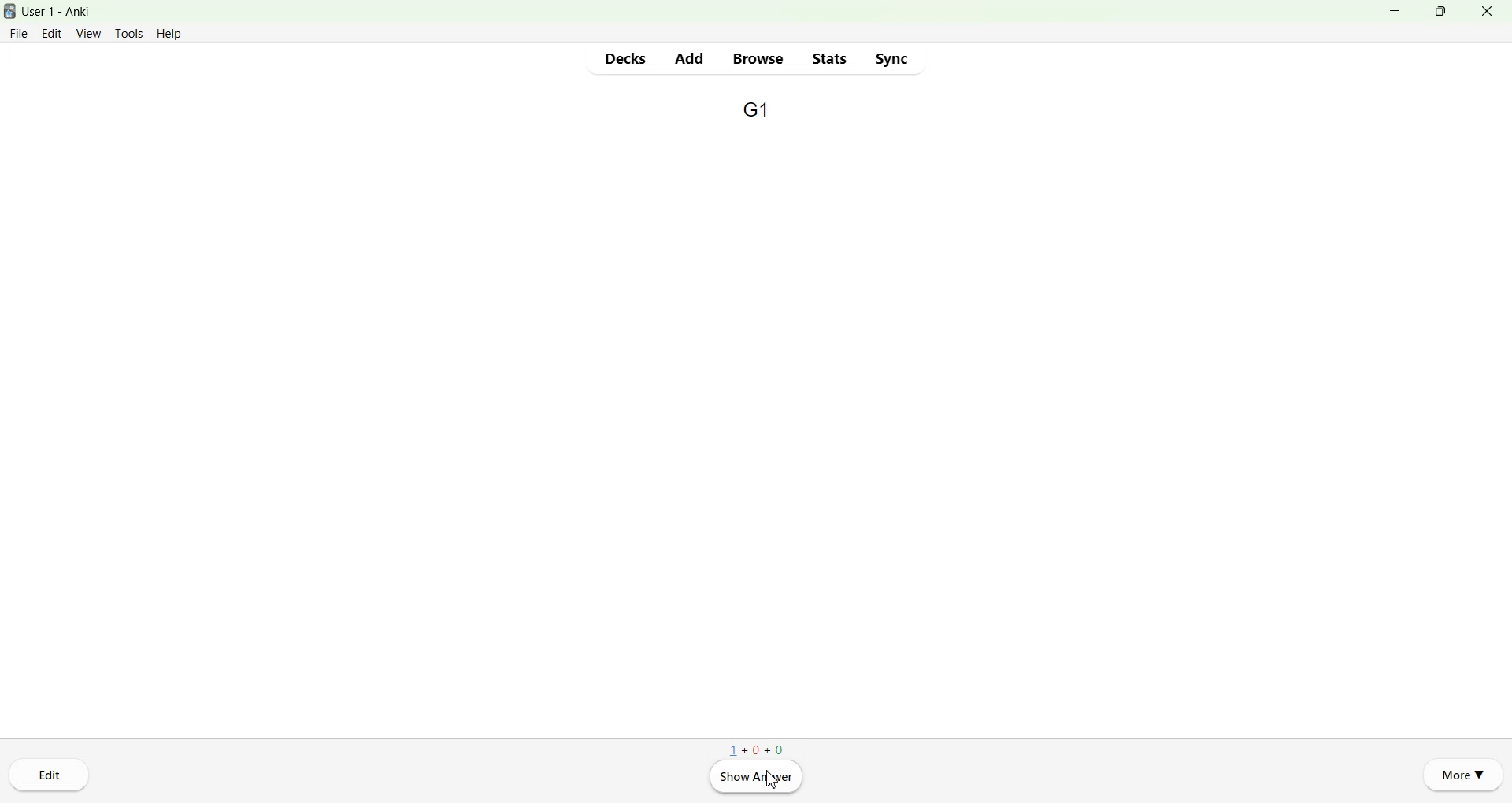 This screenshot has height=803, width=1512. I want to click on Minimize, so click(1397, 11).